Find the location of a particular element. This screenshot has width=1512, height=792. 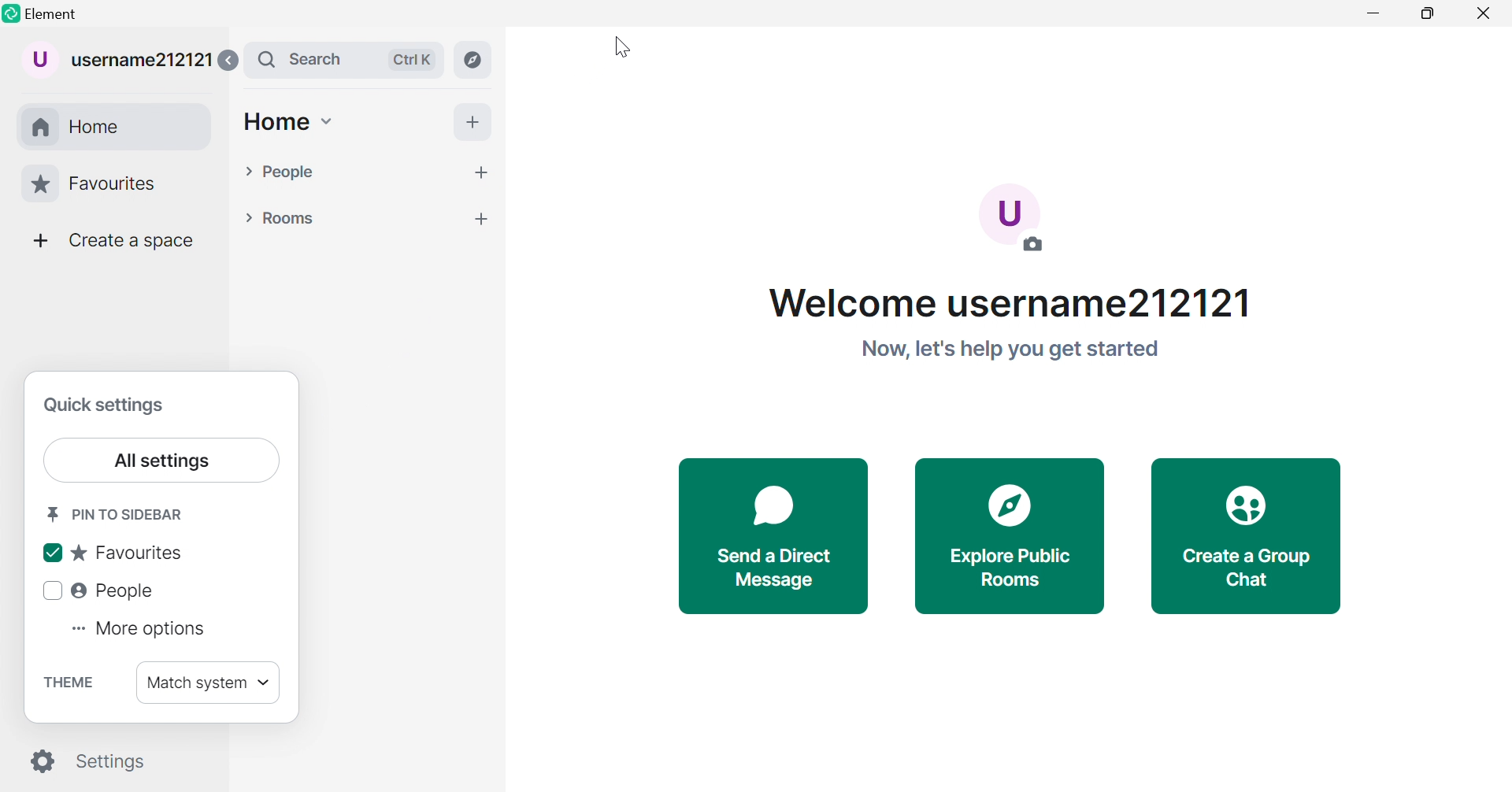

Favourites is located at coordinates (112, 553).